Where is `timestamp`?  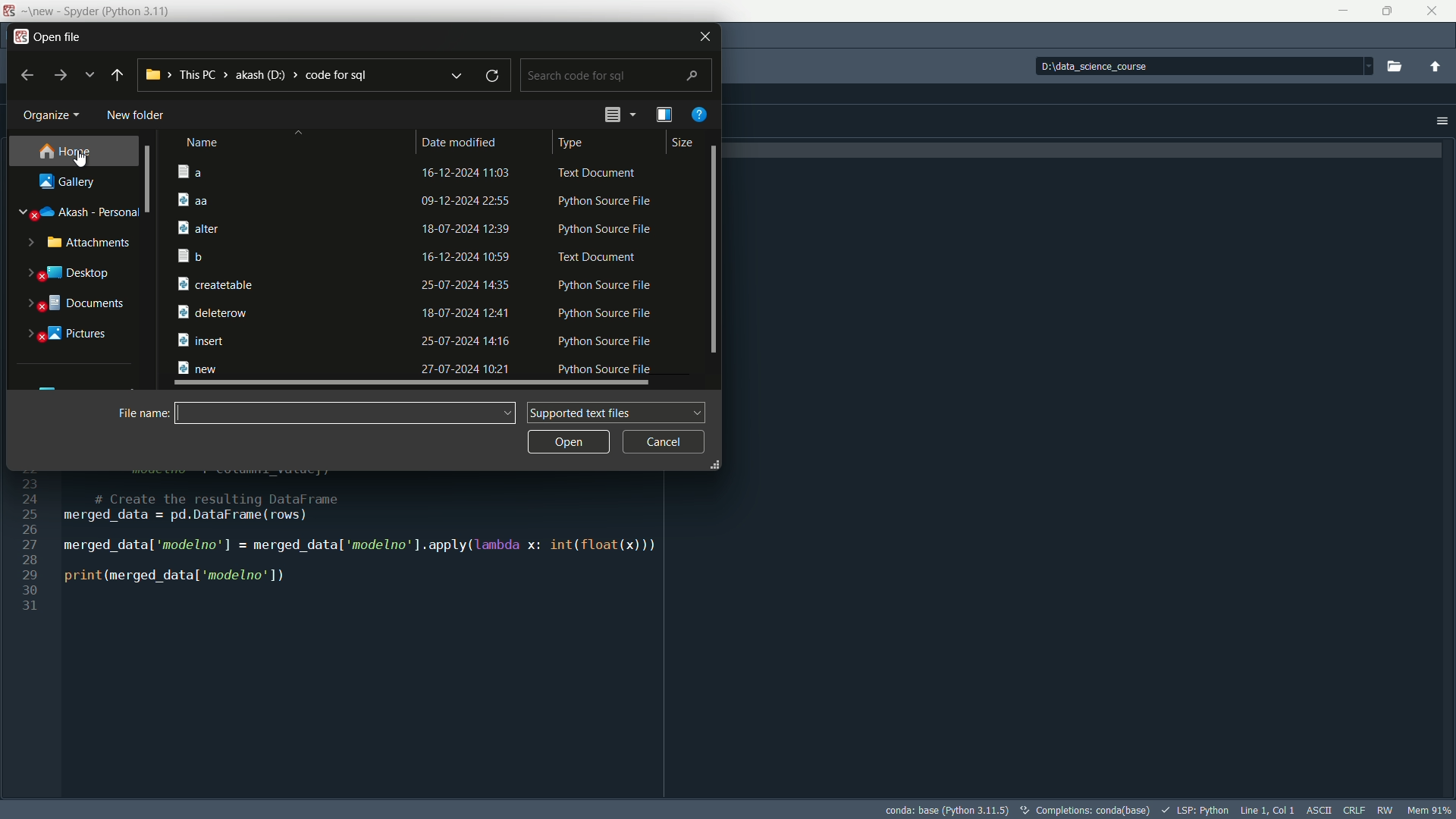 timestamp is located at coordinates (462, 201).